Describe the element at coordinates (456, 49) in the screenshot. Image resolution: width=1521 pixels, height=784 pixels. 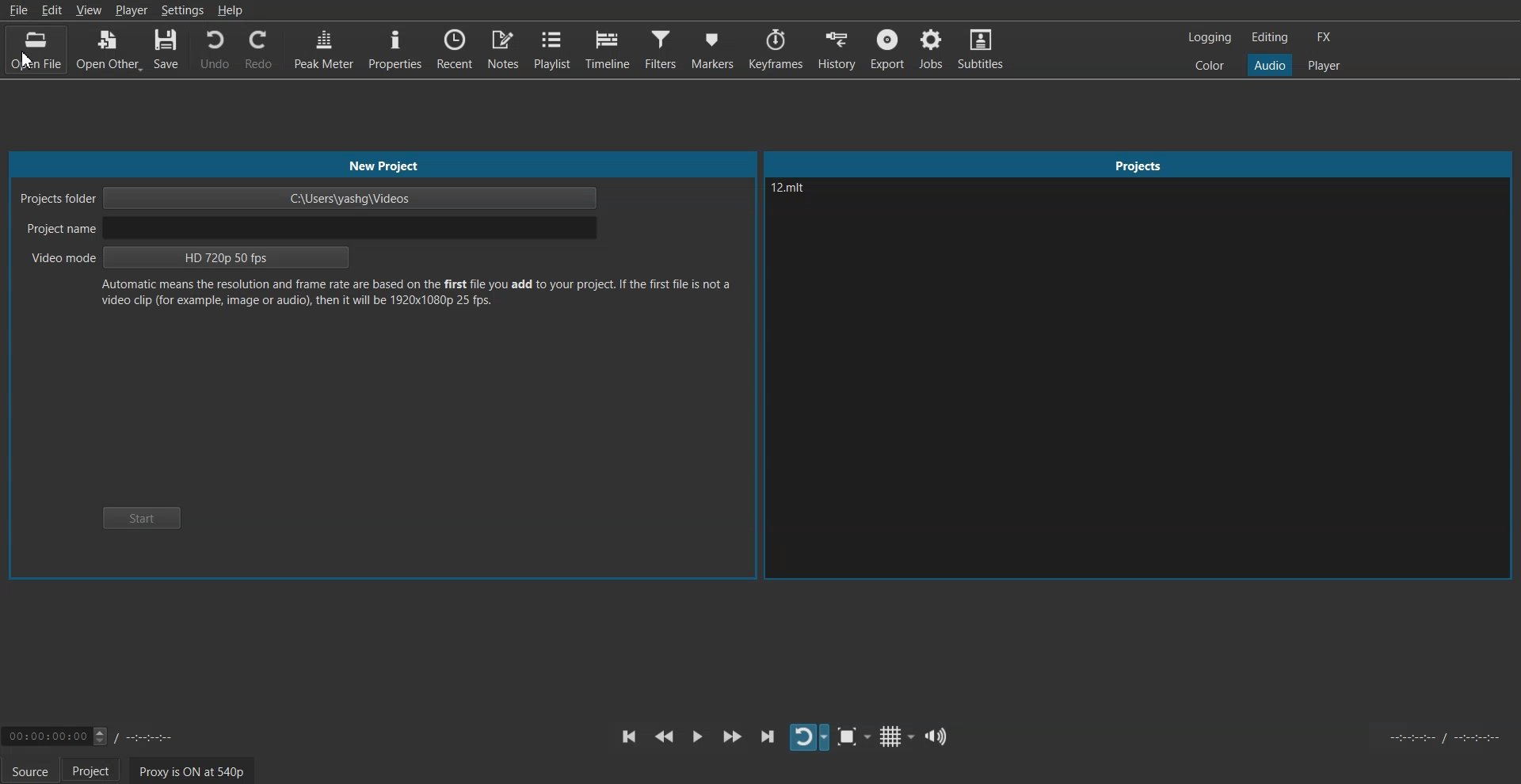
I see `Recent` at that location.